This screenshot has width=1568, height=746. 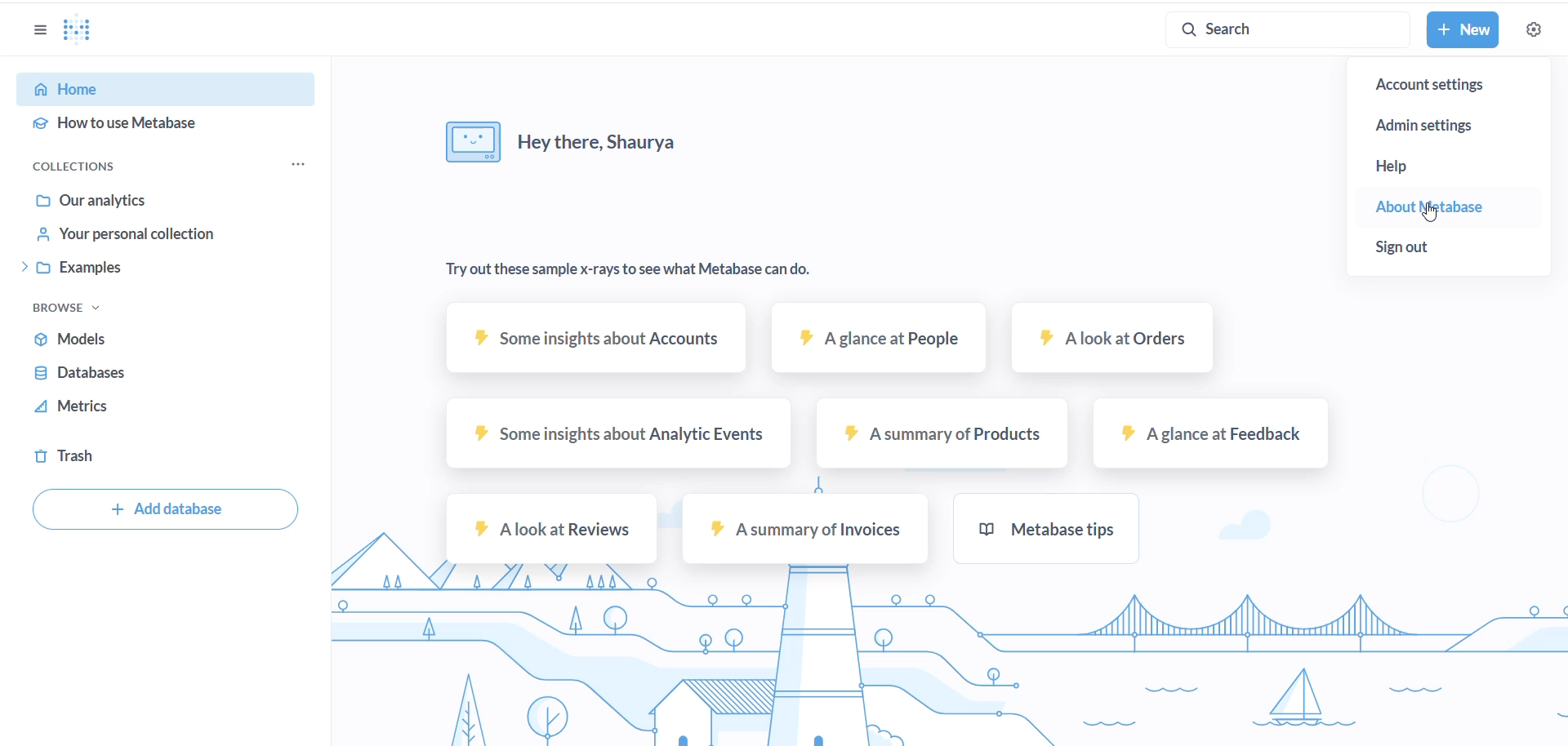 What do you see at coordinates (875, 343) in the screenshot?
I see `A glance at people sample` at bounding box center [875, 343].